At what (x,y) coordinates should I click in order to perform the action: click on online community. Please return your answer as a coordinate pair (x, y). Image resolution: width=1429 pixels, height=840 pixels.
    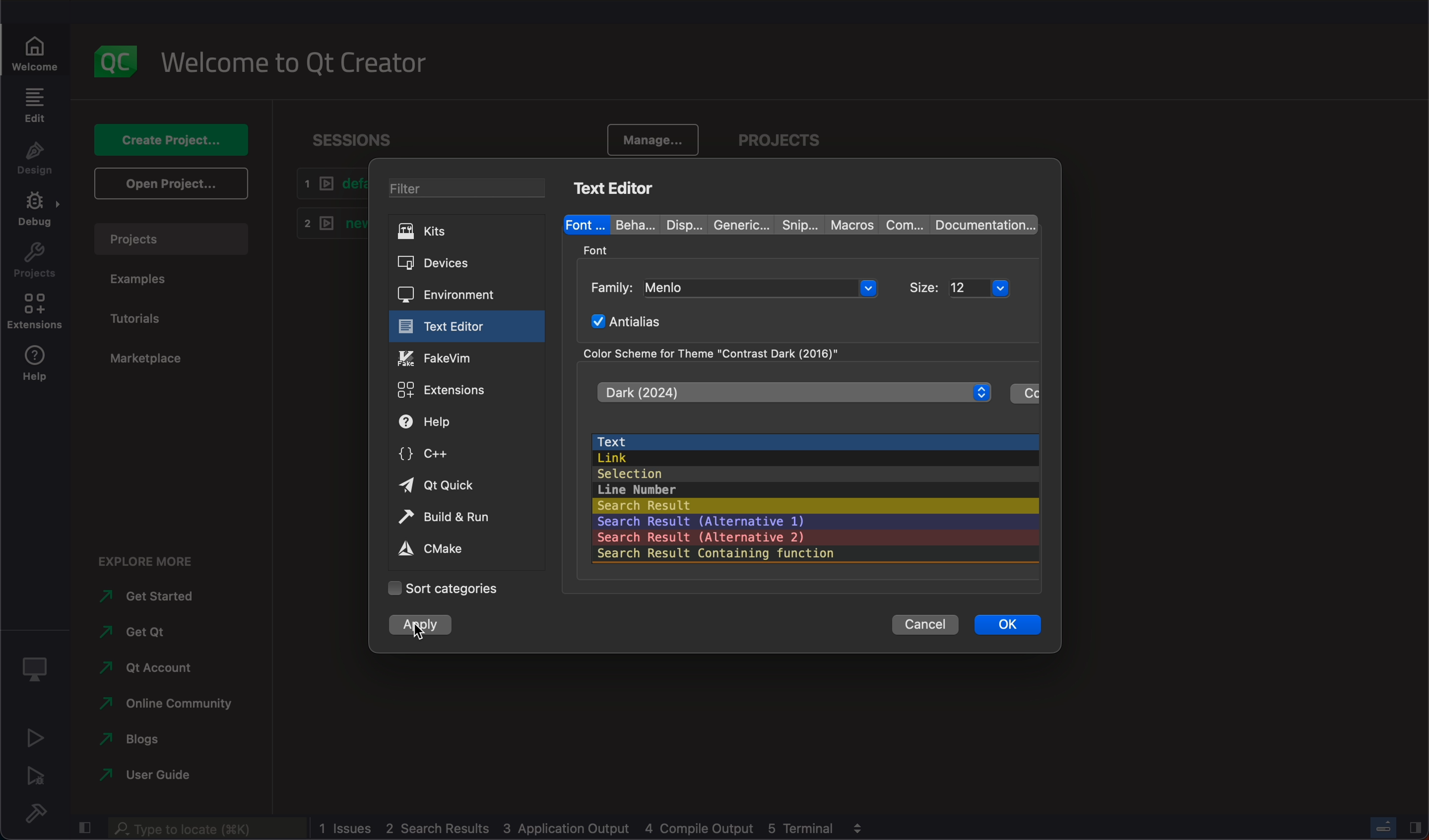
    Looking at the image, I should click on (166, 705).